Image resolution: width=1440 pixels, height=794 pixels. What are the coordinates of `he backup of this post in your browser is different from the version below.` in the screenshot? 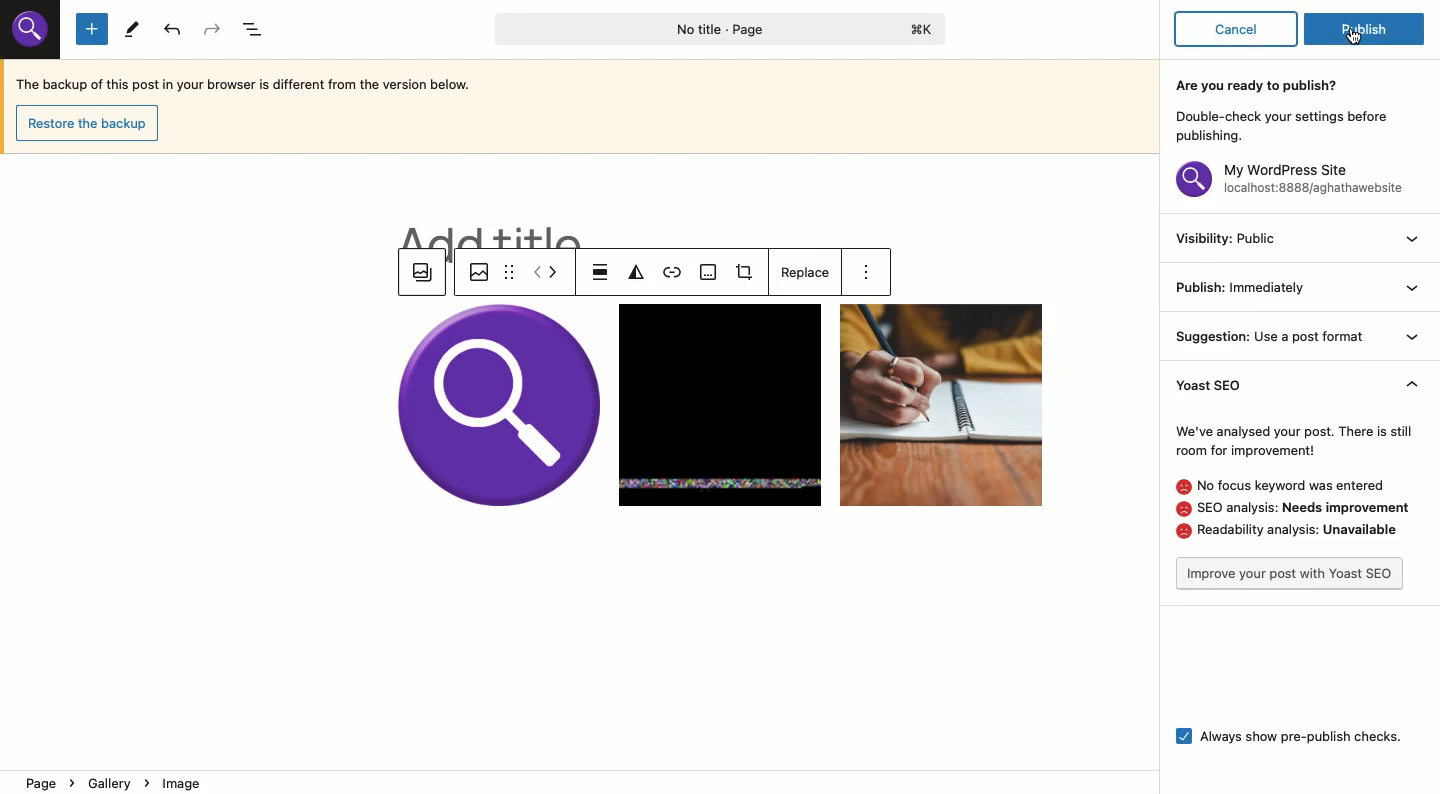 It's located at (258, 84).